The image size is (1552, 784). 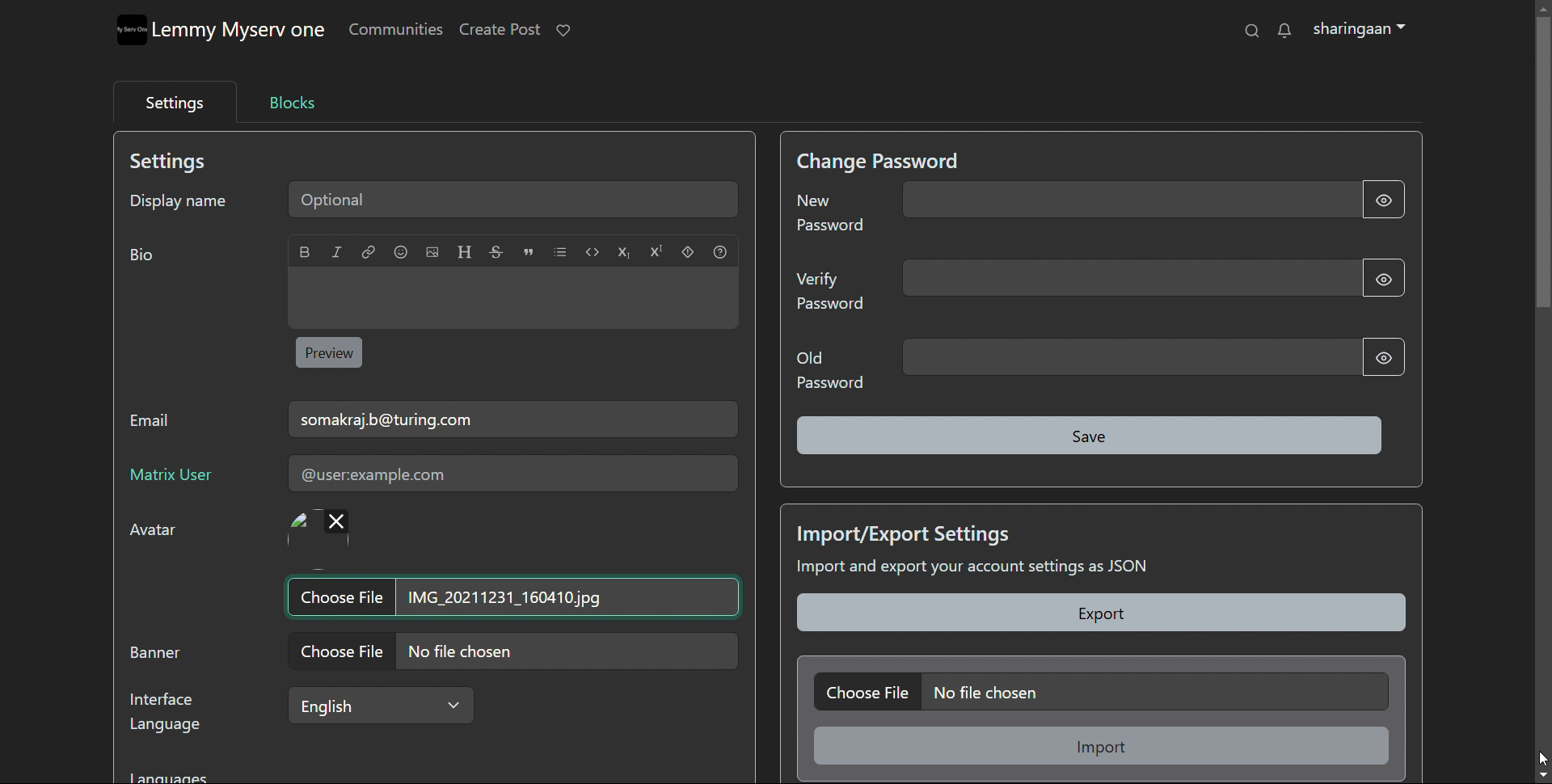 I want to click on add bio, so click(x=512, y=298).